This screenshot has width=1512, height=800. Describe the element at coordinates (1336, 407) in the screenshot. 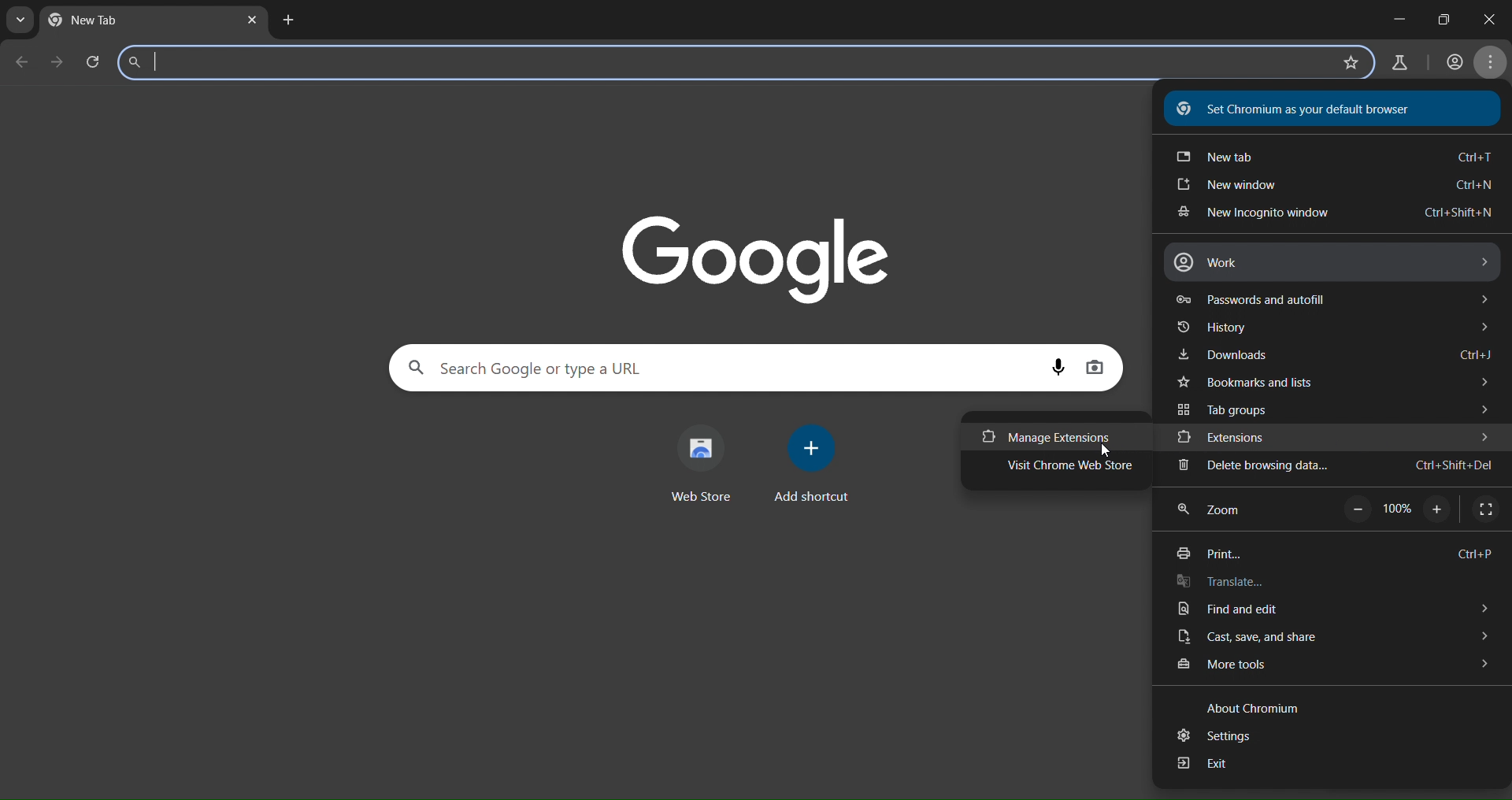

I see `tab groups` at that location.